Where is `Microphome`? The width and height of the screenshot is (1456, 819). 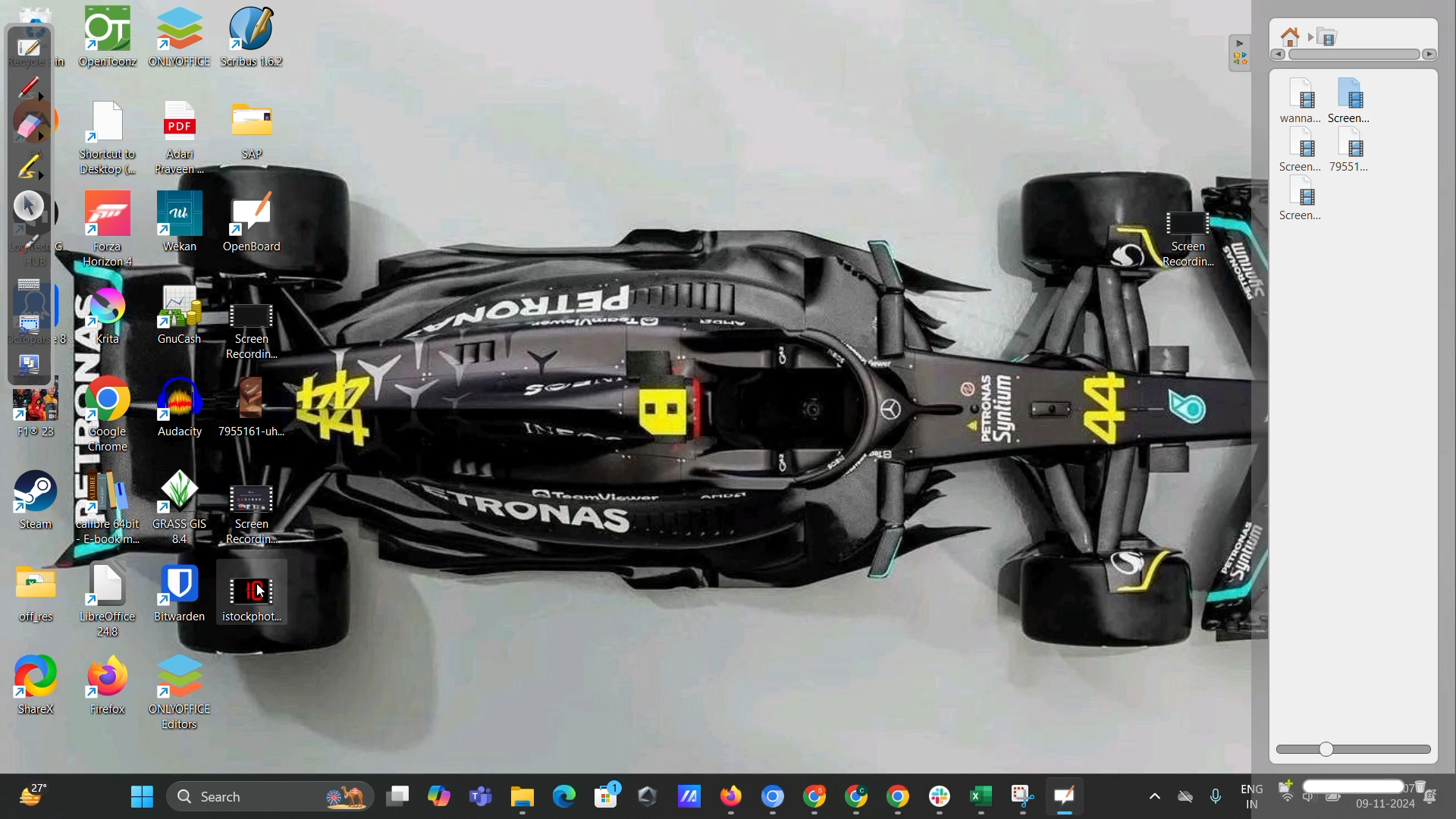
Microphome is located at coordinates (1214, 795).